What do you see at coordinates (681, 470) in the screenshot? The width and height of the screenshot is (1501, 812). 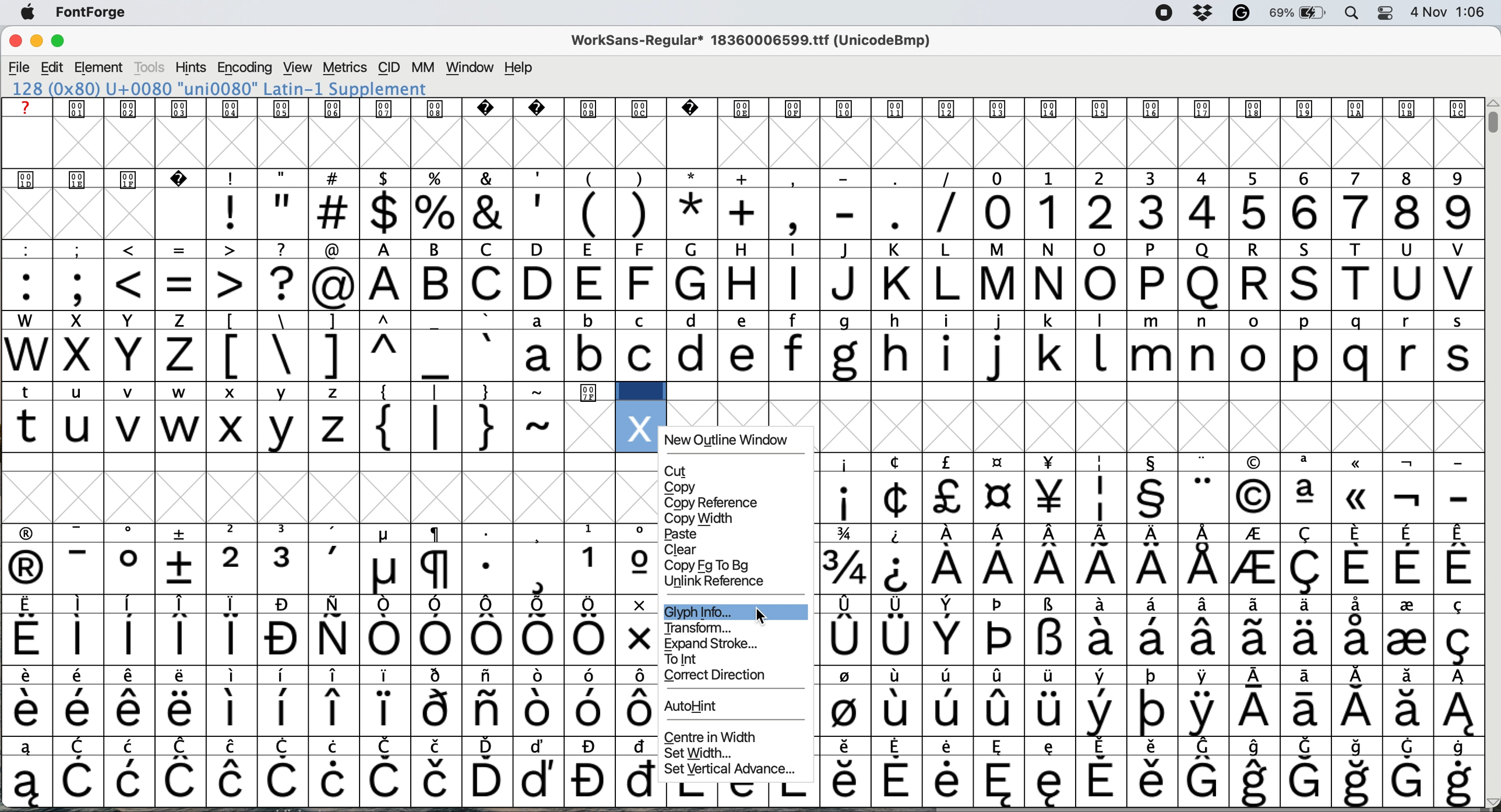 I see `CUT` at bounding box center [681, 470].